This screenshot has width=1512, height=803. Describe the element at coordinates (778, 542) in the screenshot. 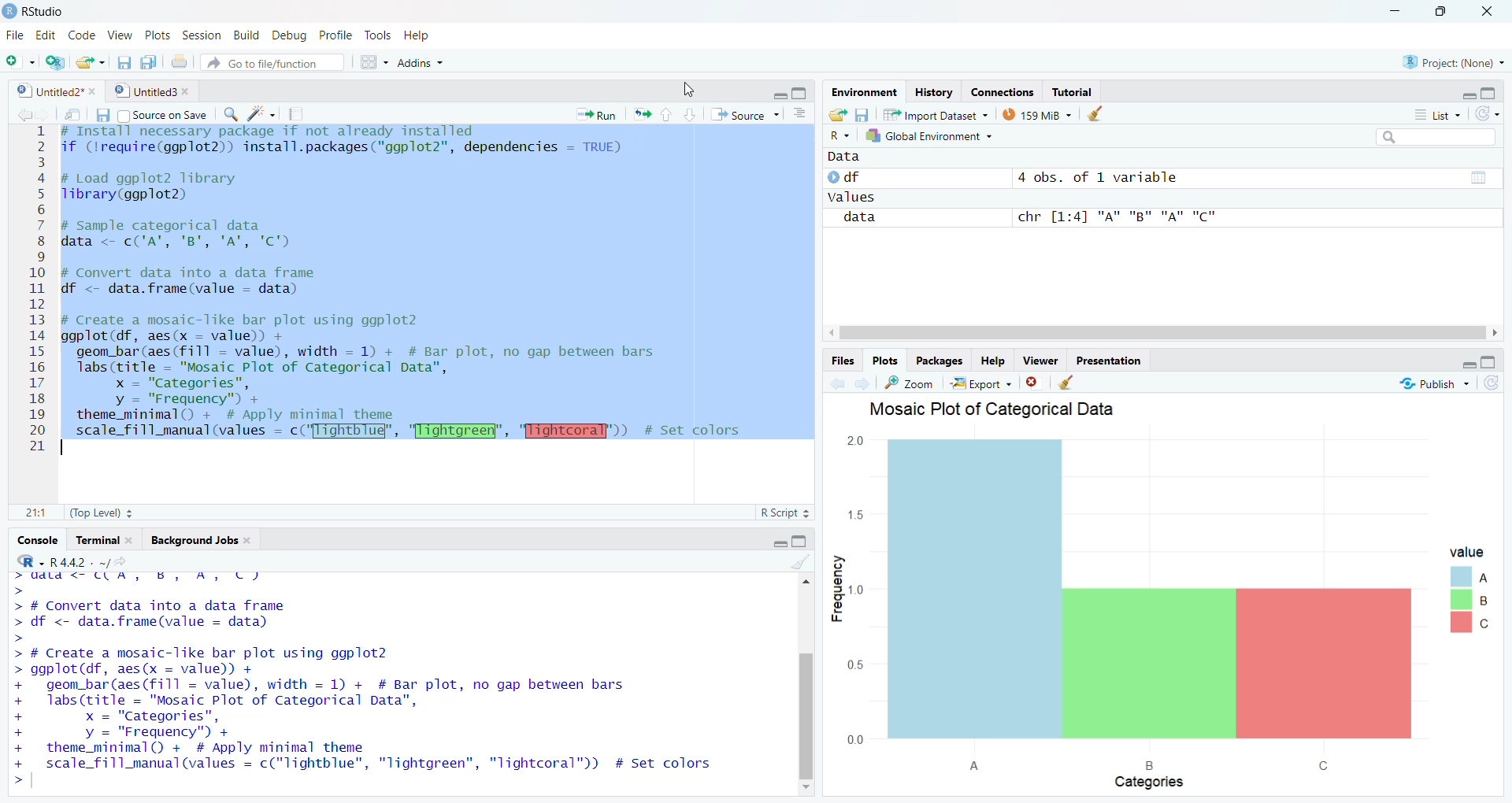

I see `Minimize` at that location.